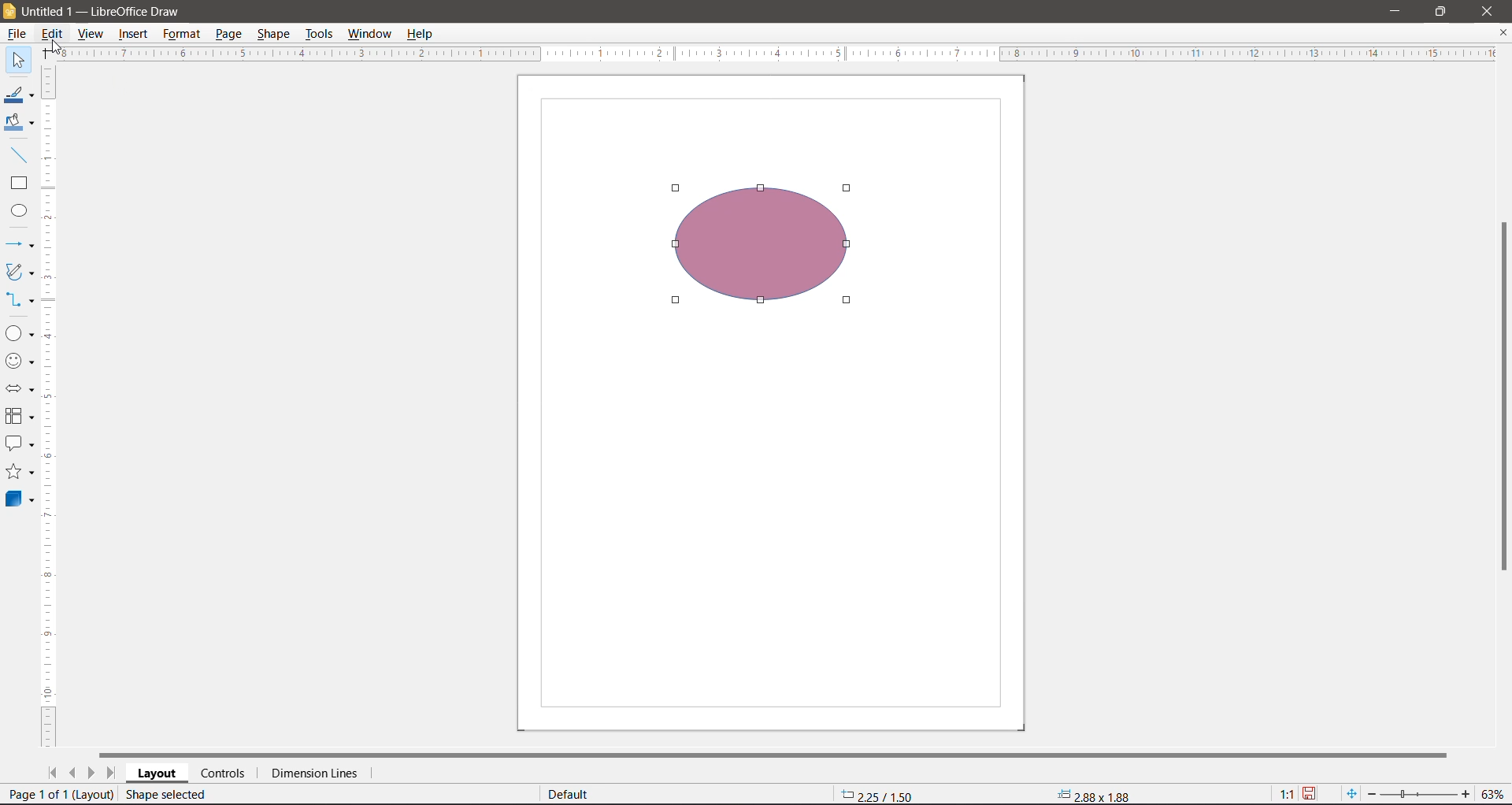 This screenshot has width=1512, height=805. Describe the element at coordinates (60, 792) in the screenshot. I see `current page` at that location.